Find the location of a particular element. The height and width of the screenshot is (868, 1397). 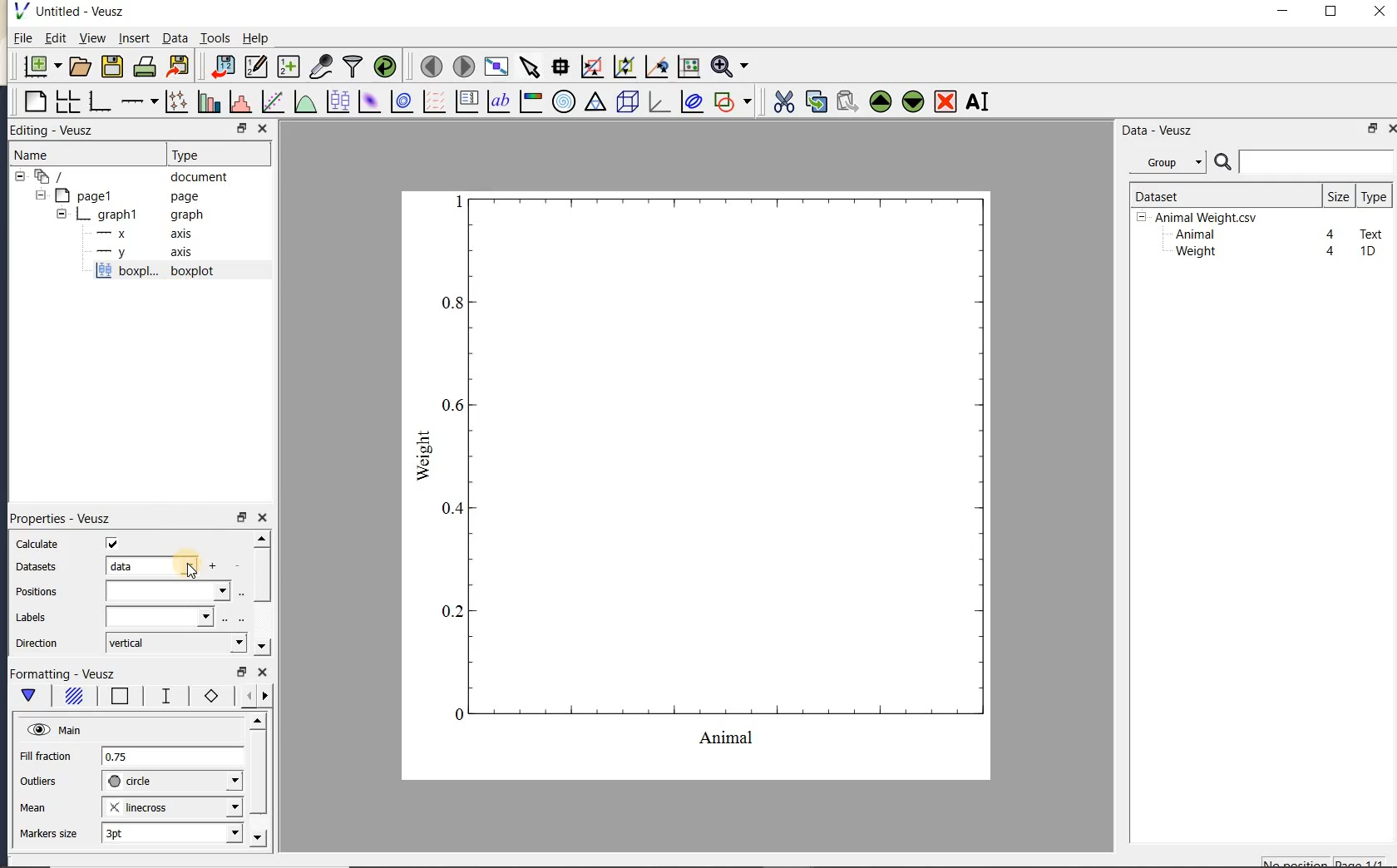

scrollbar is located at coordinates (261, 594).